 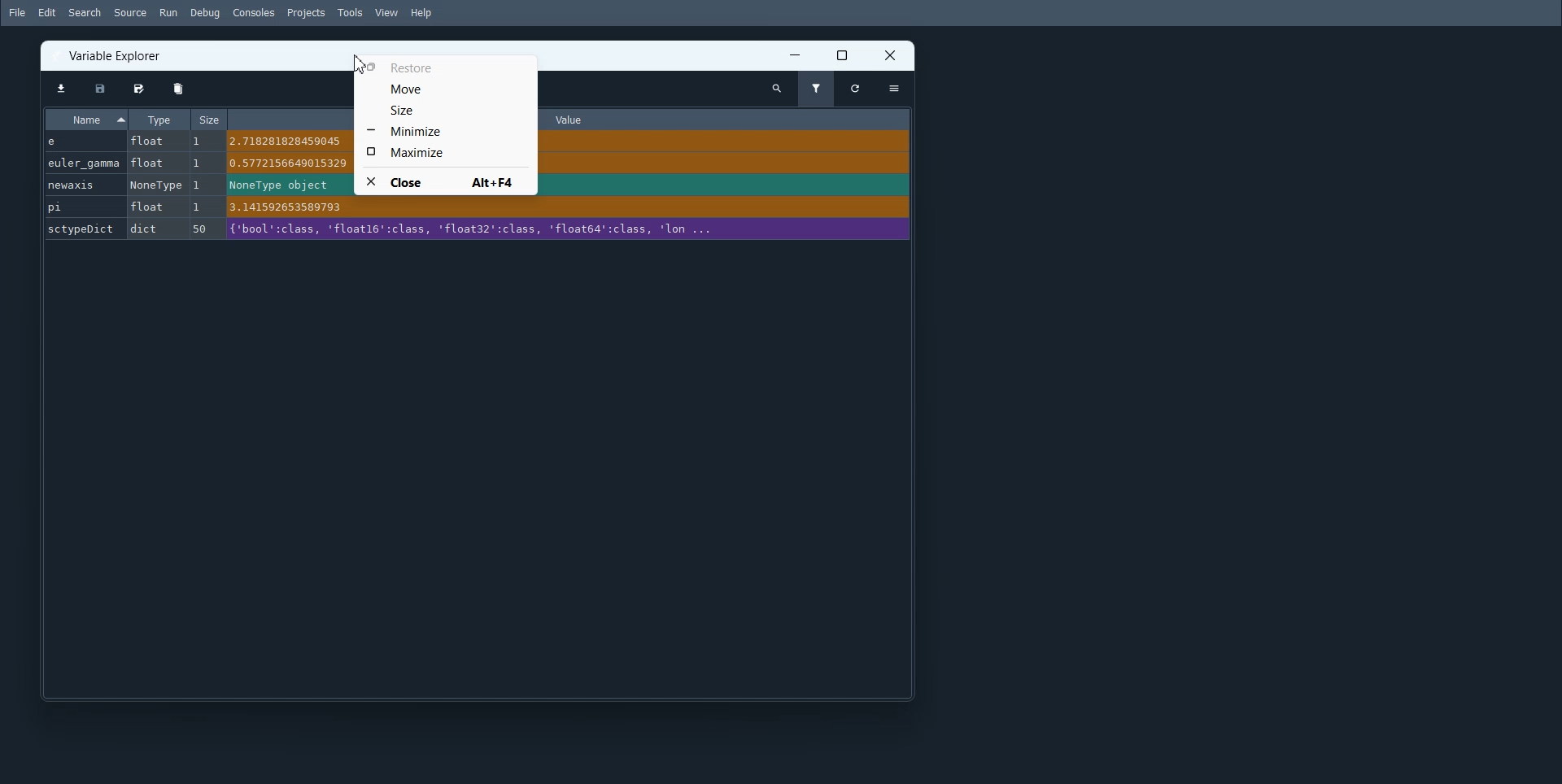 What do you see at coordinates (386, 12) in the screenshot?
I see `View` at bounding box center [386, 12].